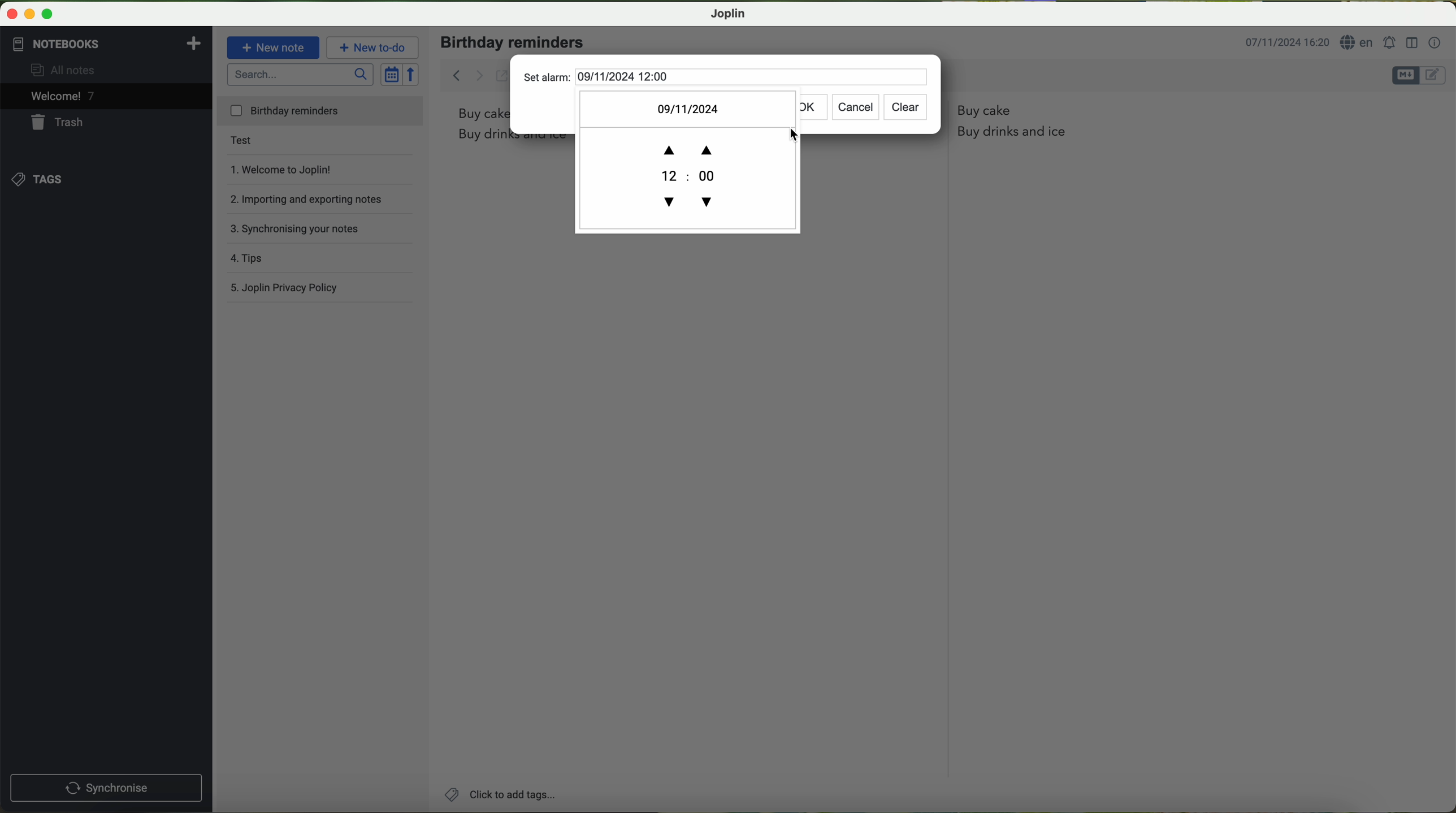 The image size is (1456, 813). I want to click on notebooks tab, so click(106, 44).